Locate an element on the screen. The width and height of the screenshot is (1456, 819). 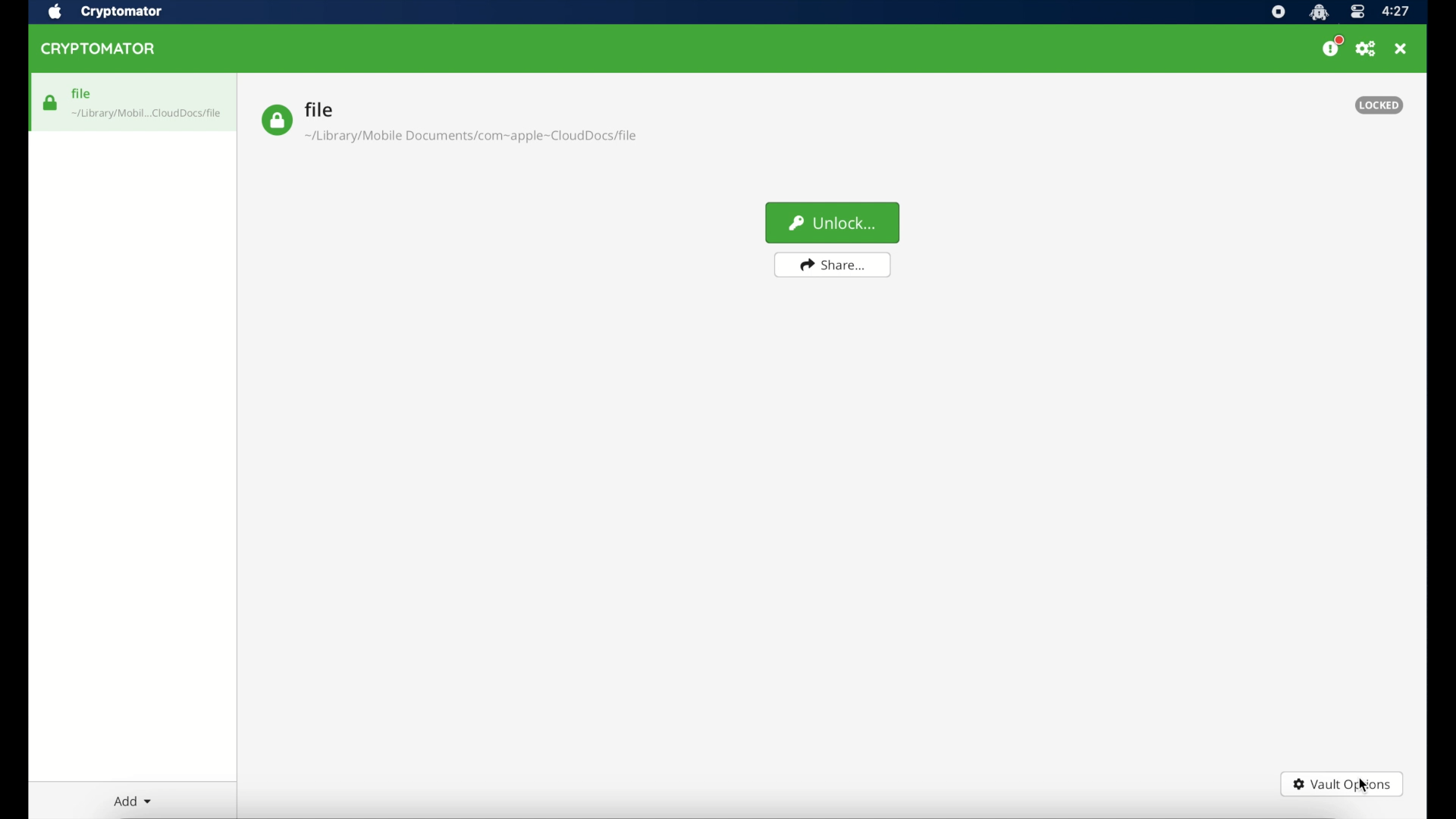
vault options is located at coordinates (1342, 785).